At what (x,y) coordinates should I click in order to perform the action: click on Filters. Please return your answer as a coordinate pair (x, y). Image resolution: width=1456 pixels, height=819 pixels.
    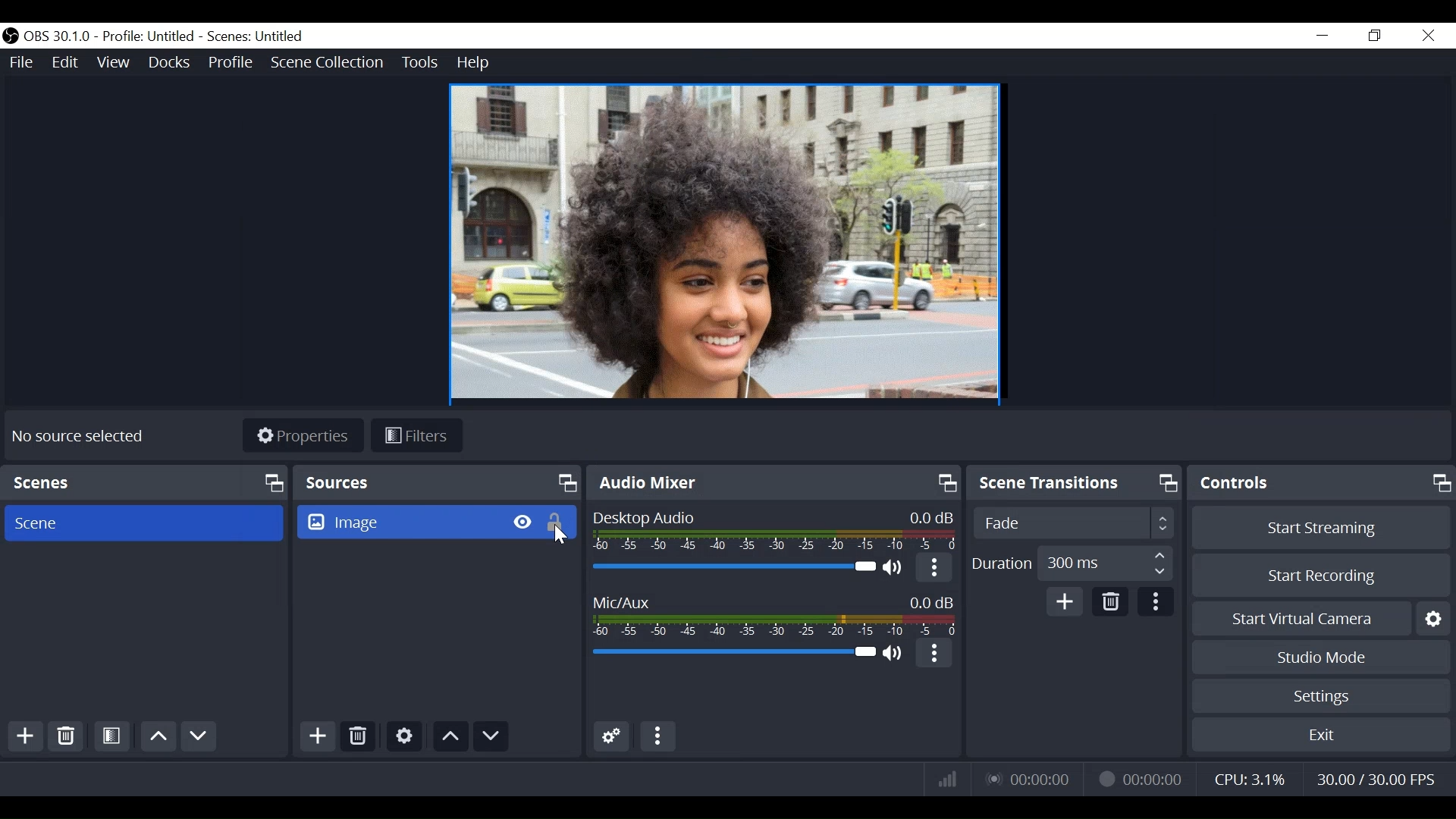
    Looking at the image, I should click on (416, 435).